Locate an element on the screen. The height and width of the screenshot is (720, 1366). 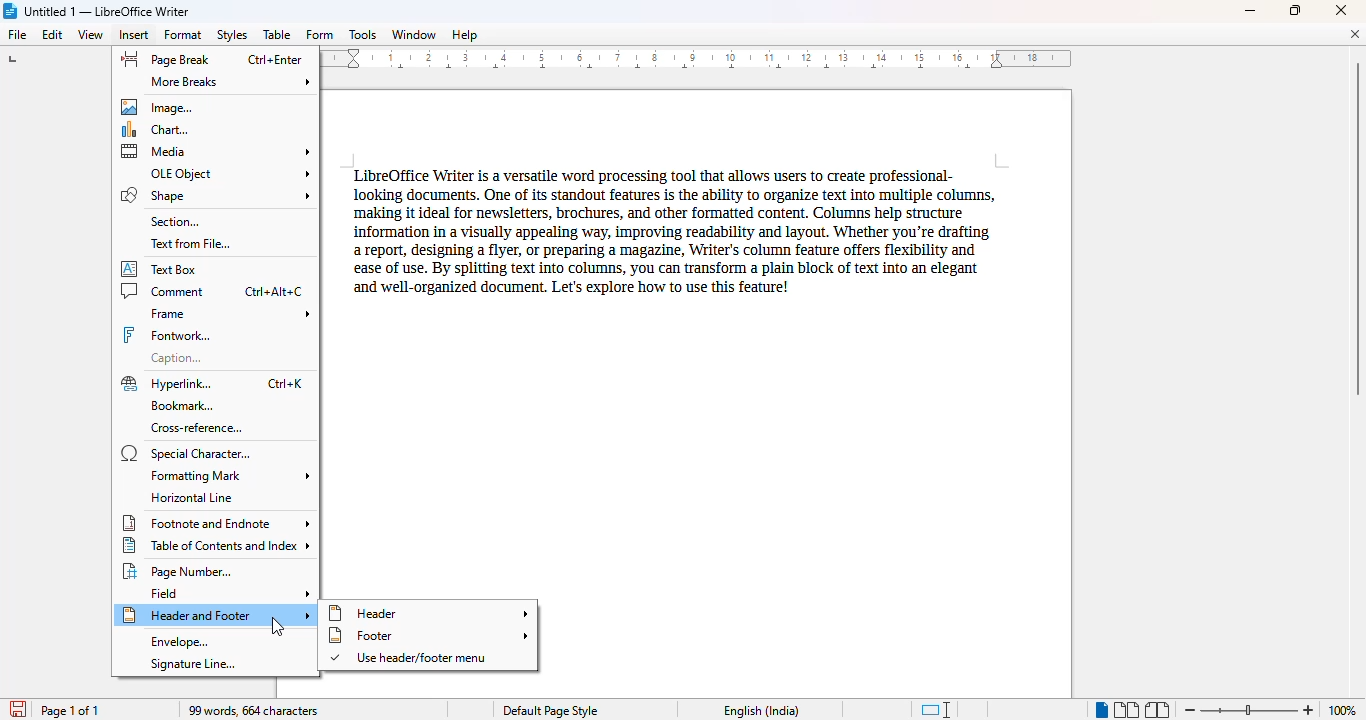
tab stop is located at coordinates (15, 61).